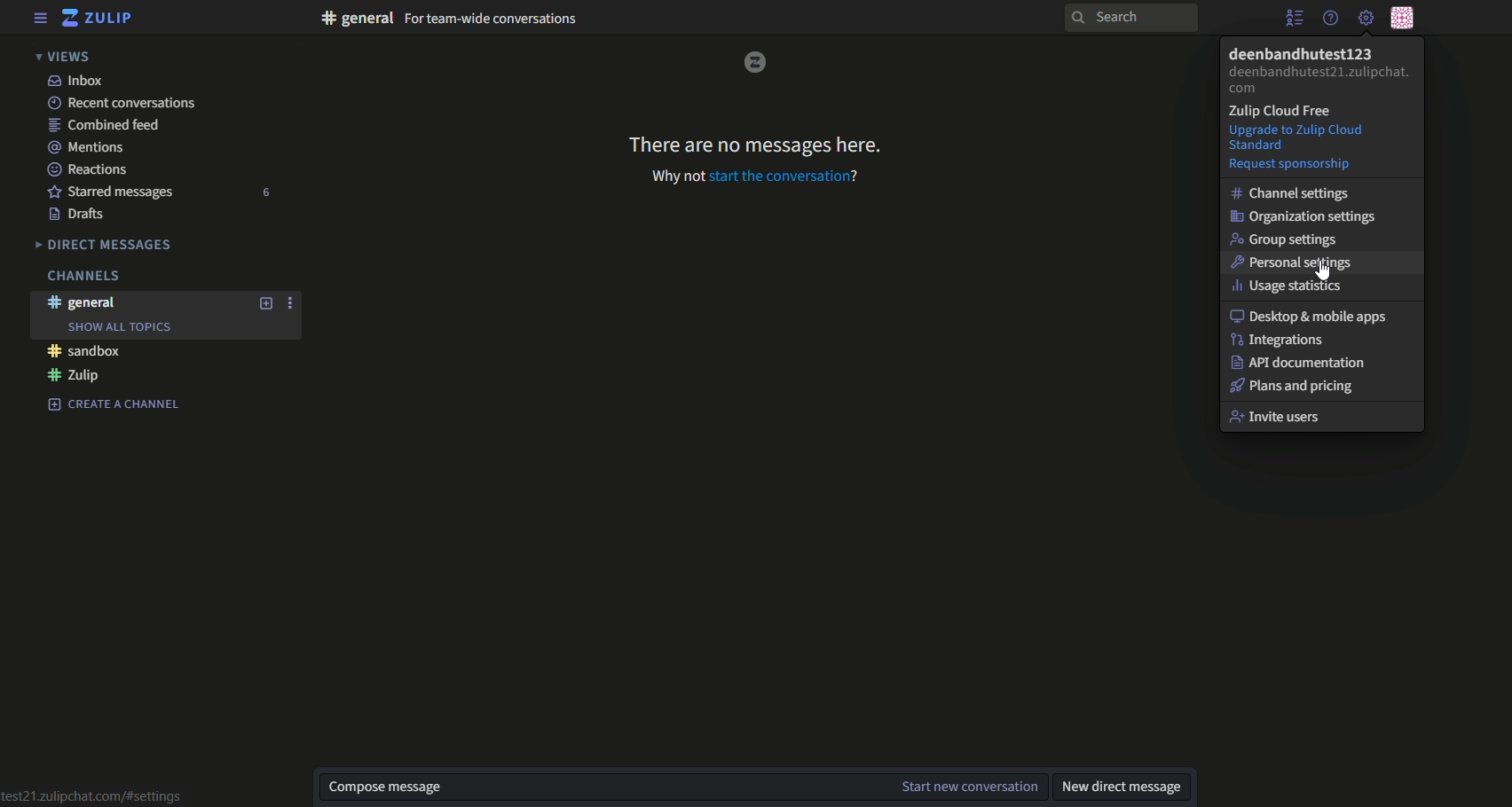  What do you see at coordinates (92, 147) in the screenshot?
I see `mentions` at bounding box center [92, 147].